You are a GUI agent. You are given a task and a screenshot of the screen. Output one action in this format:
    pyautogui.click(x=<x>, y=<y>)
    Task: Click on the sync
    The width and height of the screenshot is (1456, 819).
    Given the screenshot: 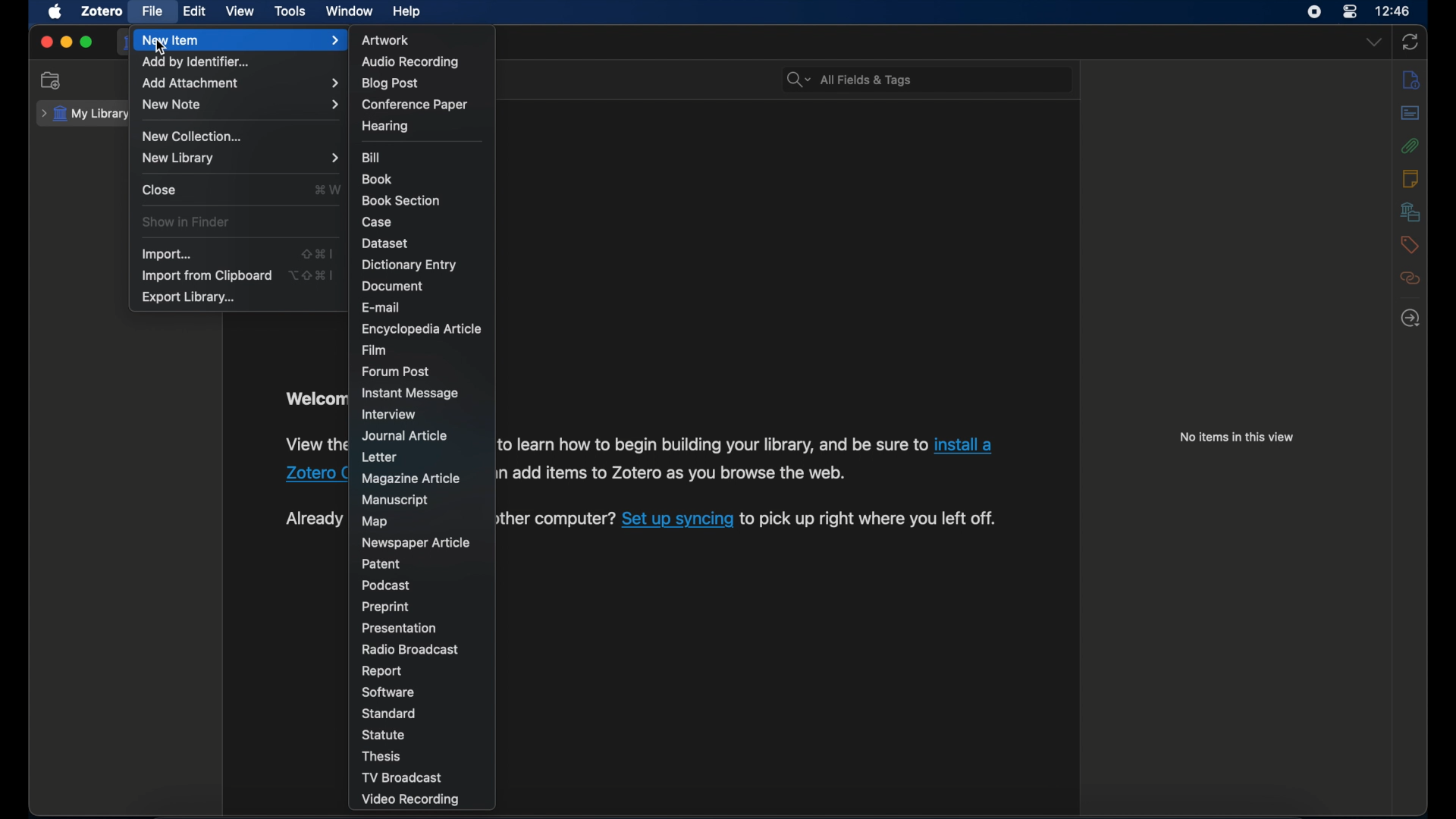 What is the action you would take?
    pyautogui.click(x=1410, y=42)
    